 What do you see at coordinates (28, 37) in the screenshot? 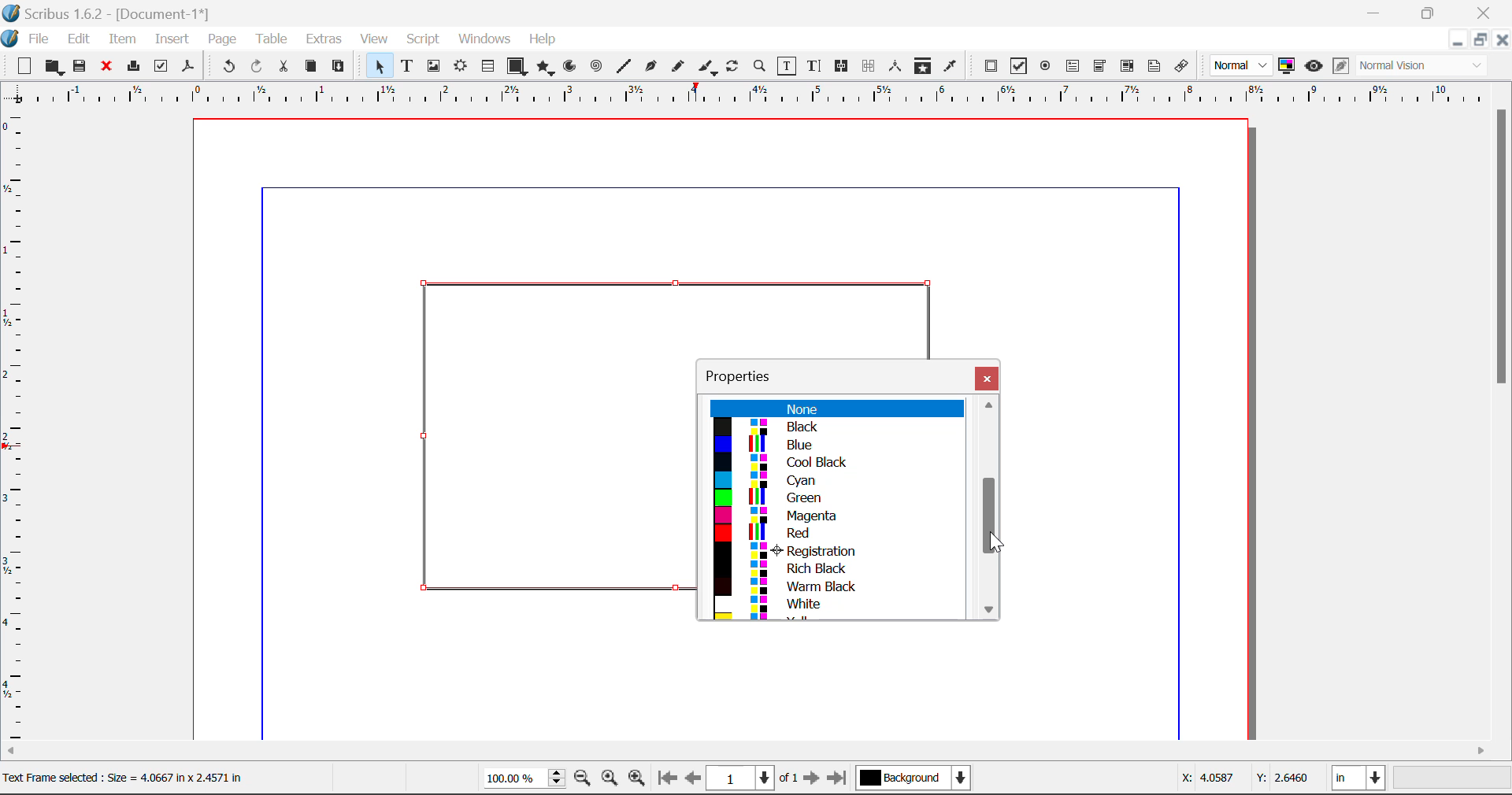
I see `File` at bounding box center [28, 37].